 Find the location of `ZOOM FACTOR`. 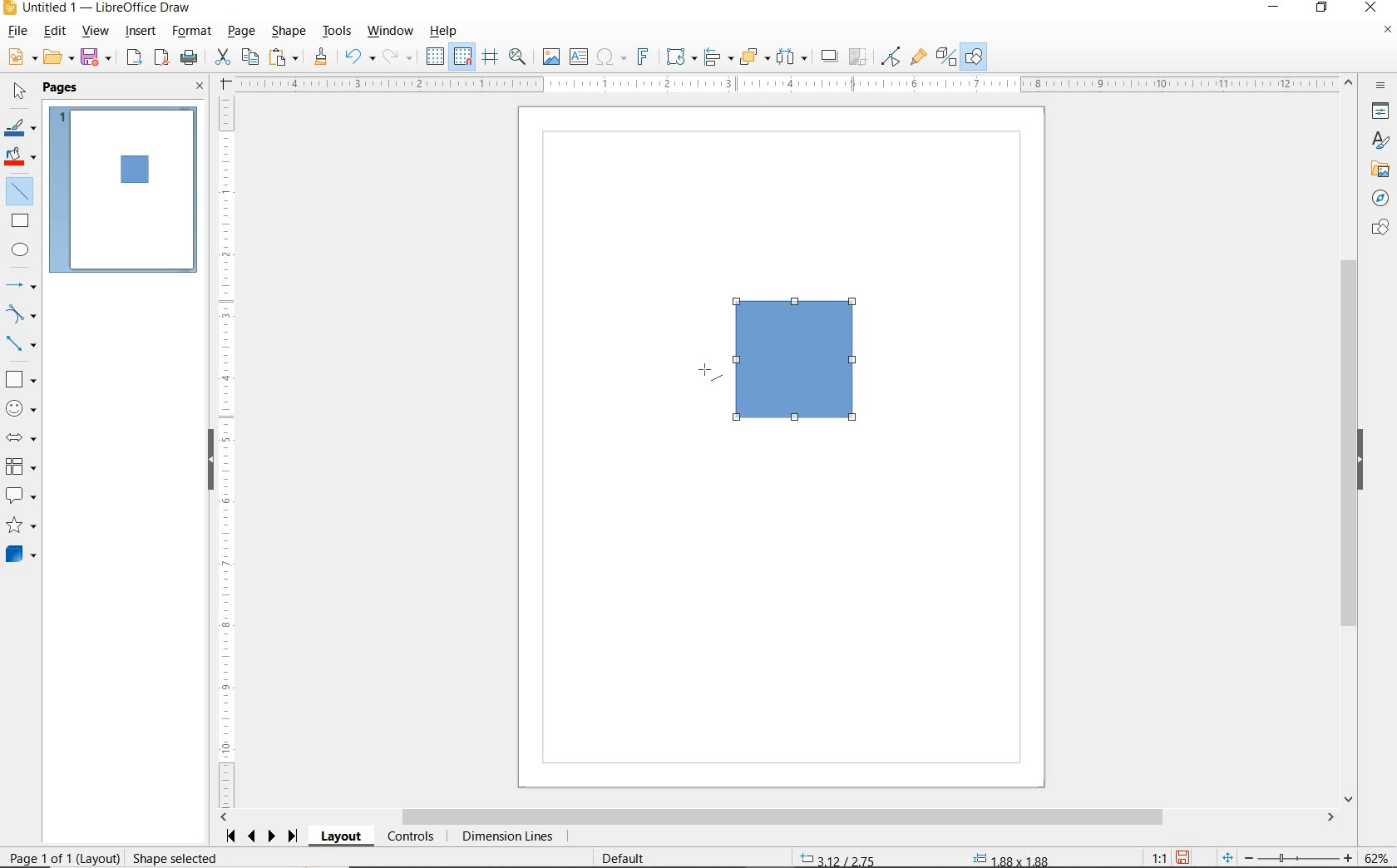

ZOOM FACTOR is located at coordinates (1375, 858).